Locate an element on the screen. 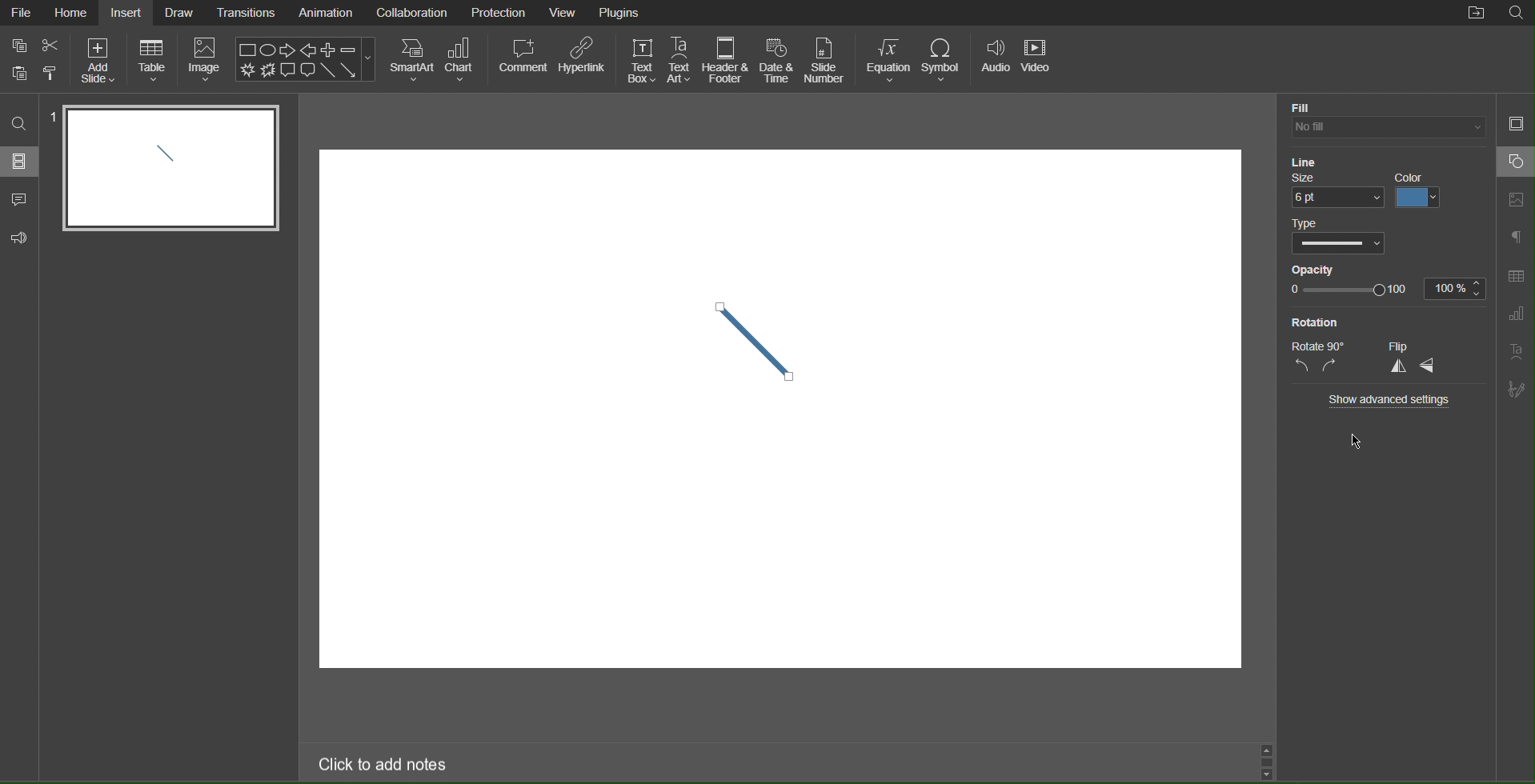 The width and height of the screenshot is (1535, 784). Search is located at coordinates (1516, 14).